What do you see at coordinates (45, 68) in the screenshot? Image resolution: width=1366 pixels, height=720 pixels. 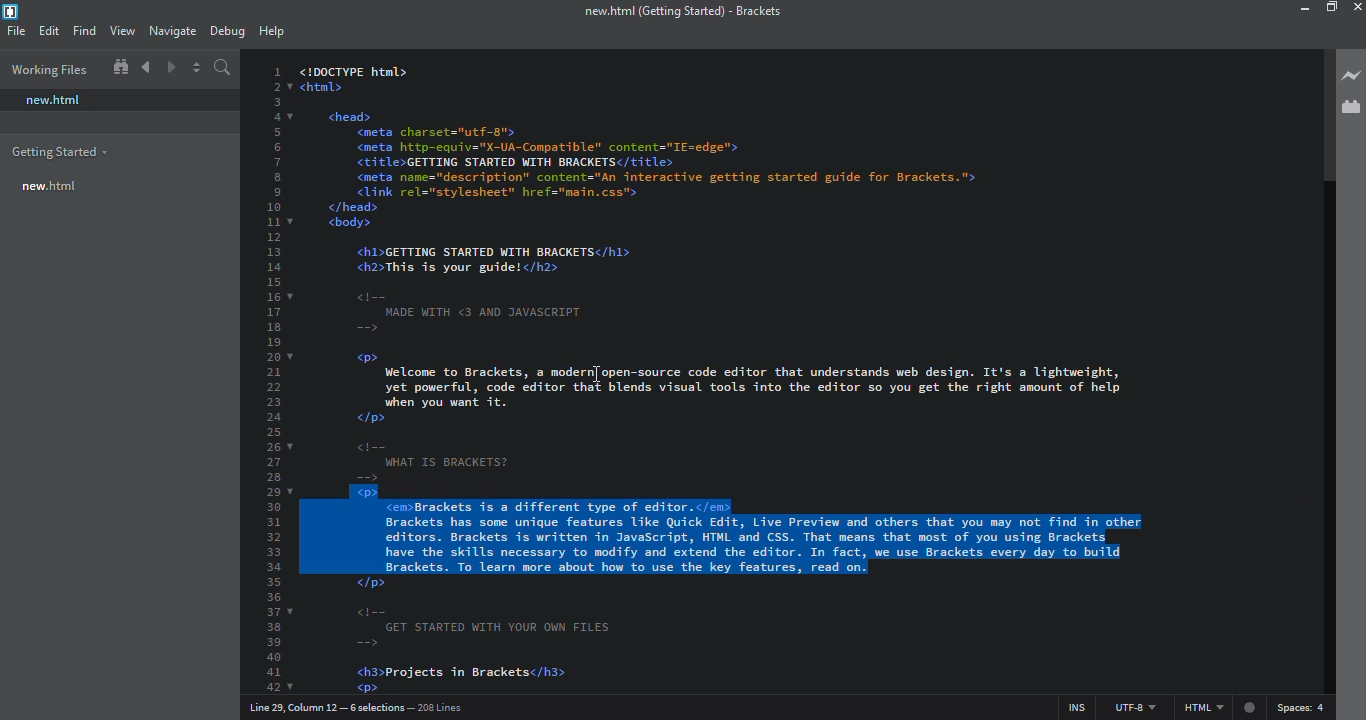 I see `working files` at bounding box center [45, 68].